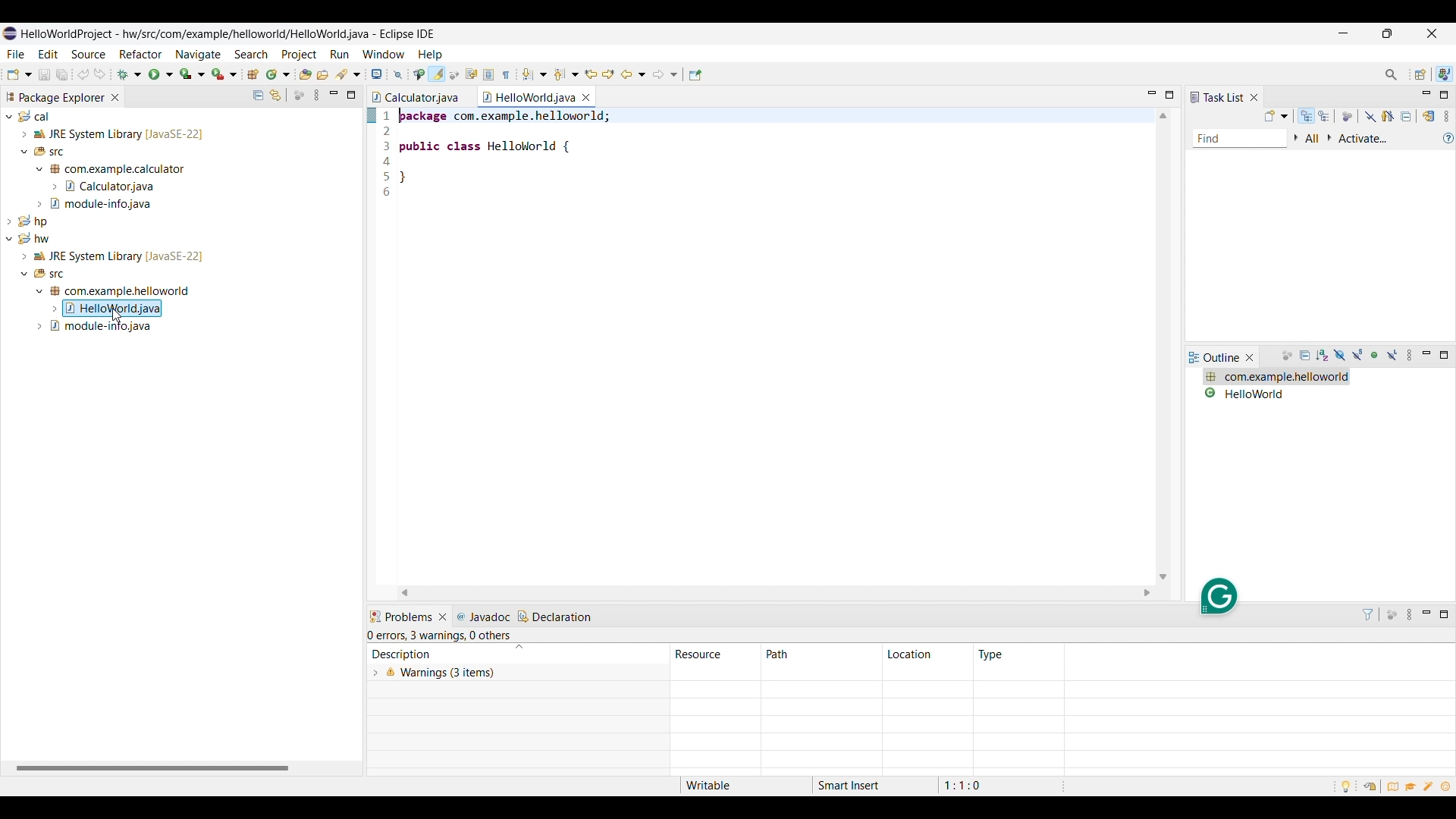 This screenshot has height=819, width=1456. Describe the element at coordinates (253, 74) in the screenshot. I see `New Java Package` at that location.